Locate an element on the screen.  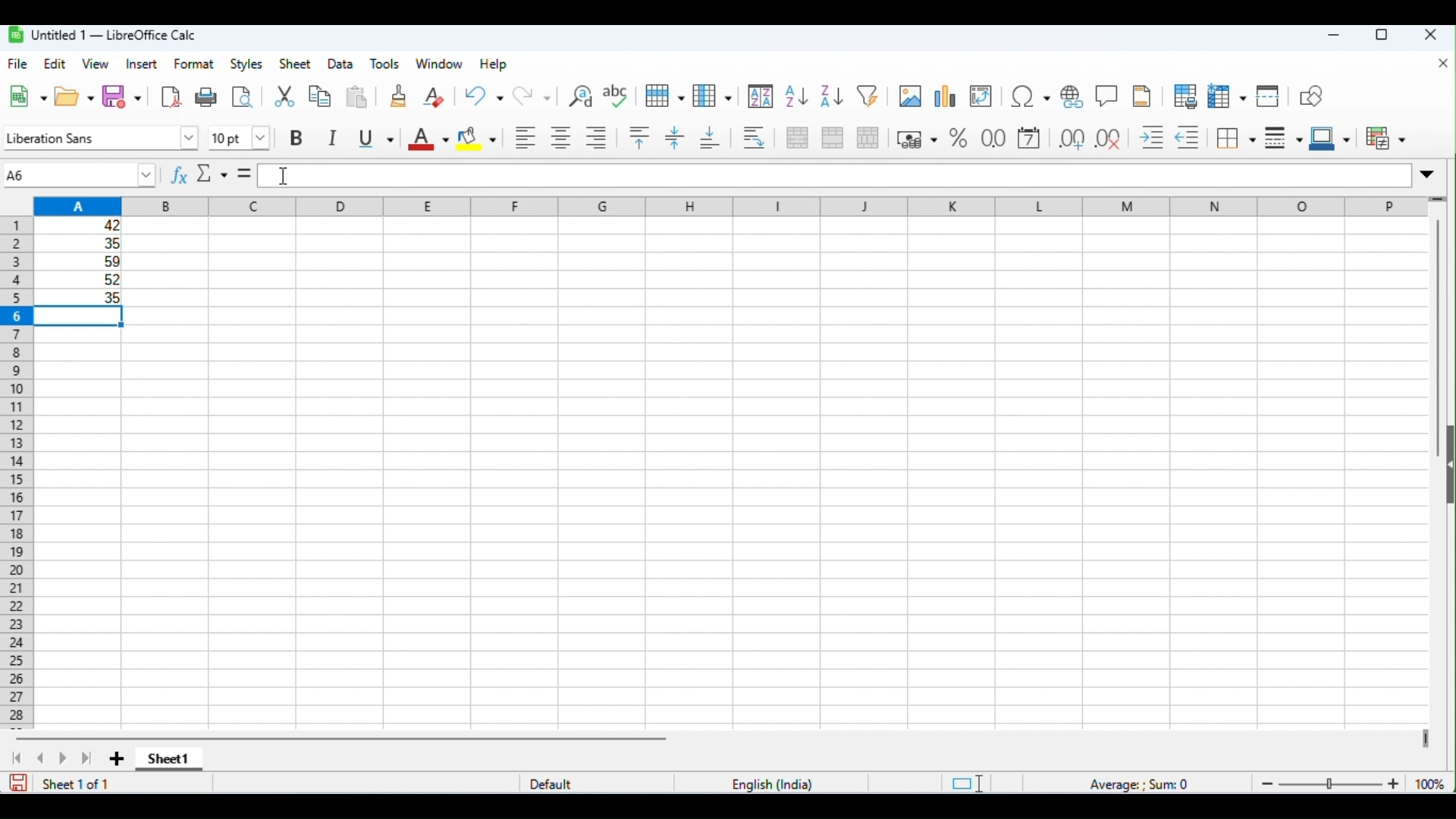
close is located at coordinates (1430, 35).